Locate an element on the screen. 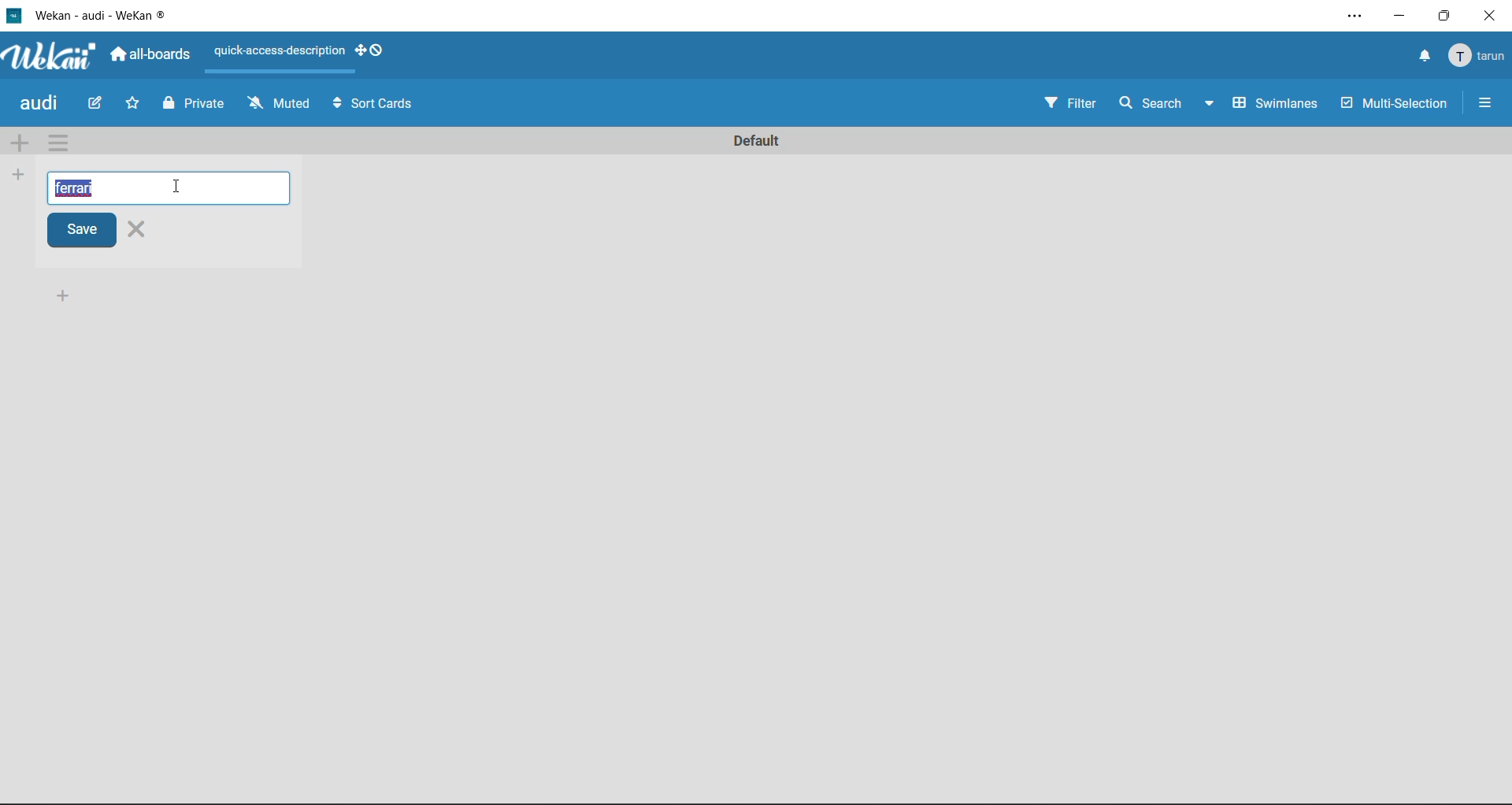 This screenshot has width=1512, height=805. quick-access-description is located at coordinates (276, 52).